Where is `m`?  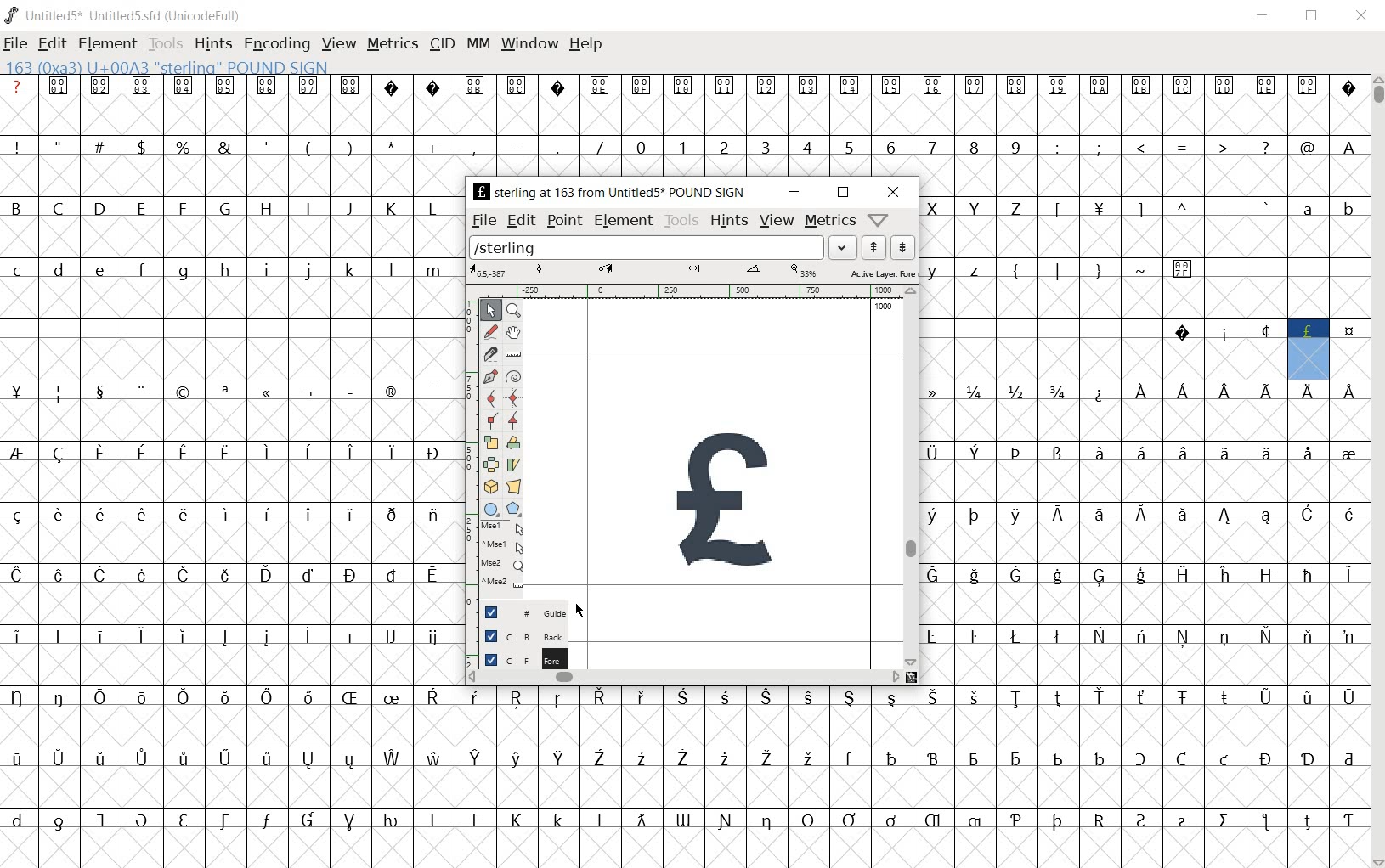
m is located at coordinates (433, 270).